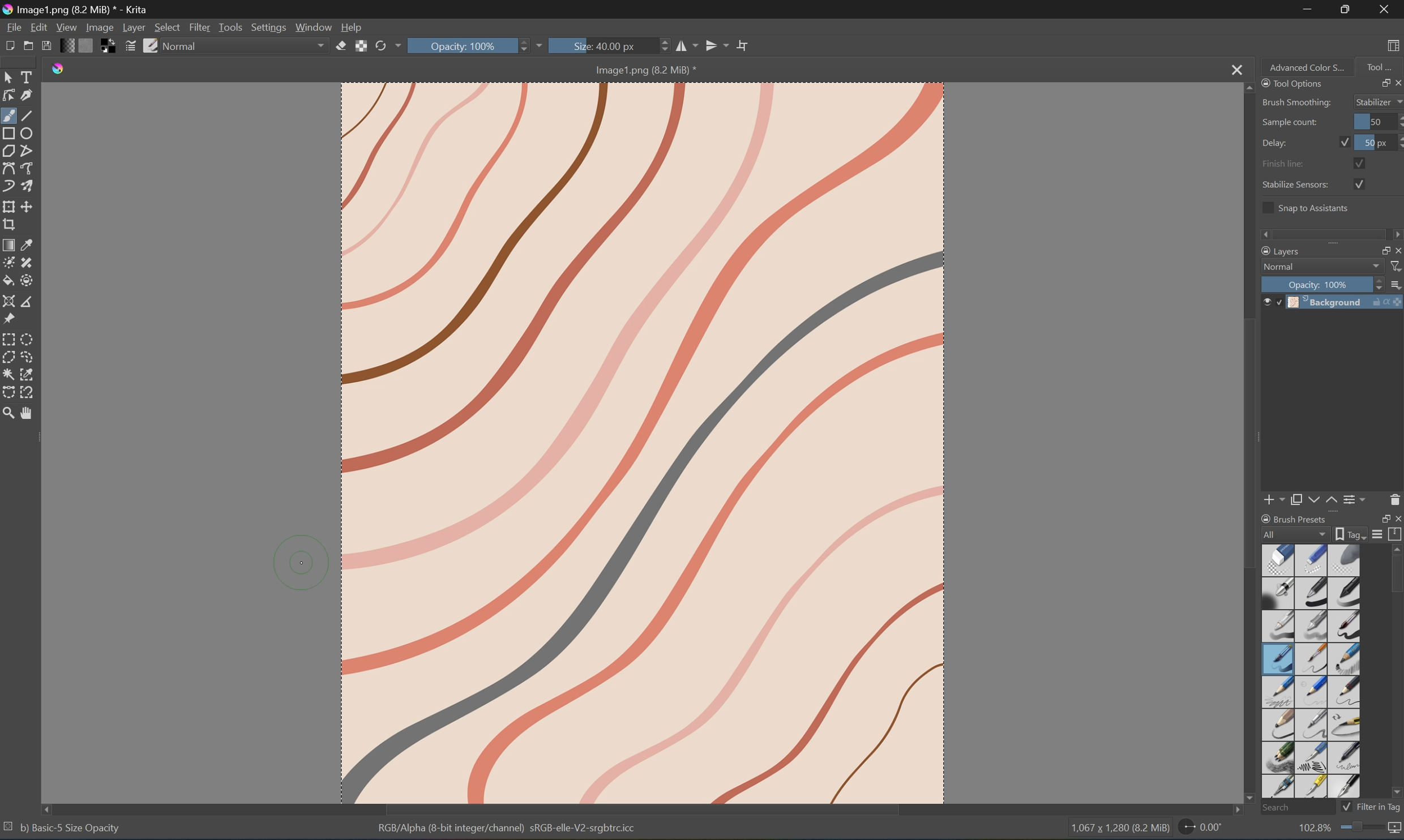 This screenshot has height=840, width=1404. Describe the element at coordinates (9, 133) in the screenshot. I see `Rectangle tool` at that location.